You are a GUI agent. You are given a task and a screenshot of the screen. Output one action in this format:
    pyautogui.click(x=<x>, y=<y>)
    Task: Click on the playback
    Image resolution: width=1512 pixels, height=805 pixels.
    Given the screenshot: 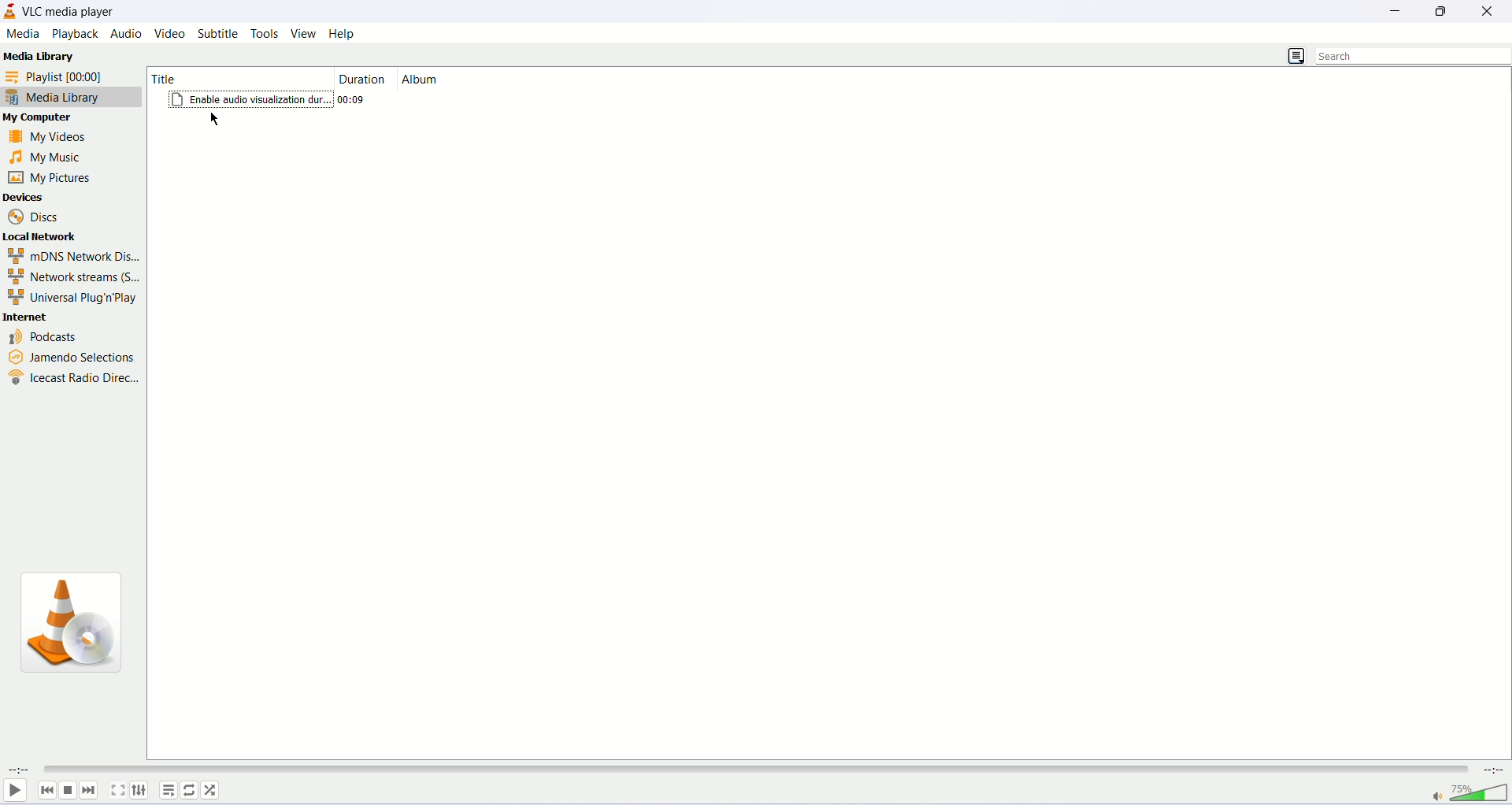 What is the action you would take?
    pyautogui.click(x=74, y=34)
    